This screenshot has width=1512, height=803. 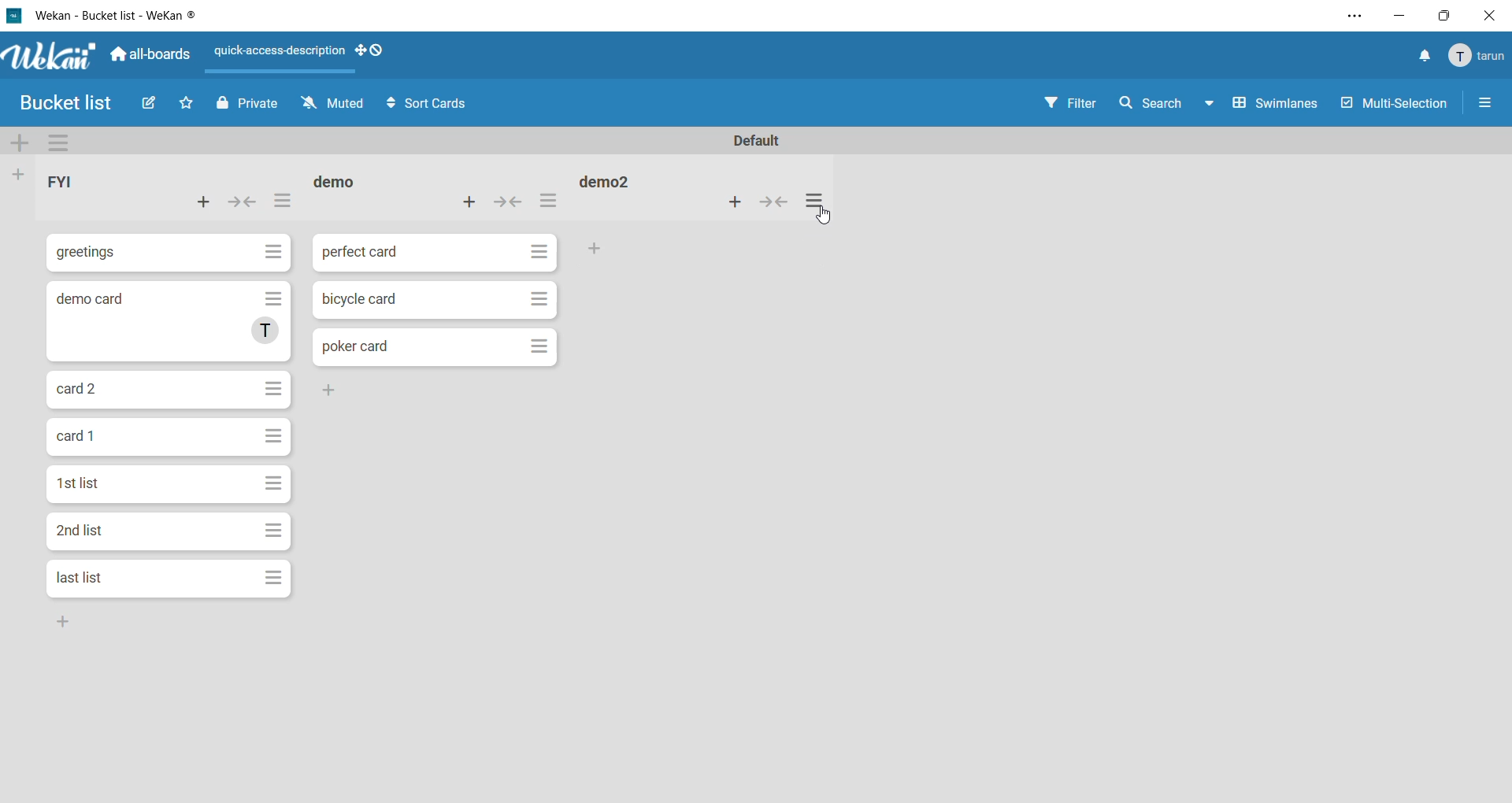 I want to click on Swimlanes, so click(x=1277, y=105).